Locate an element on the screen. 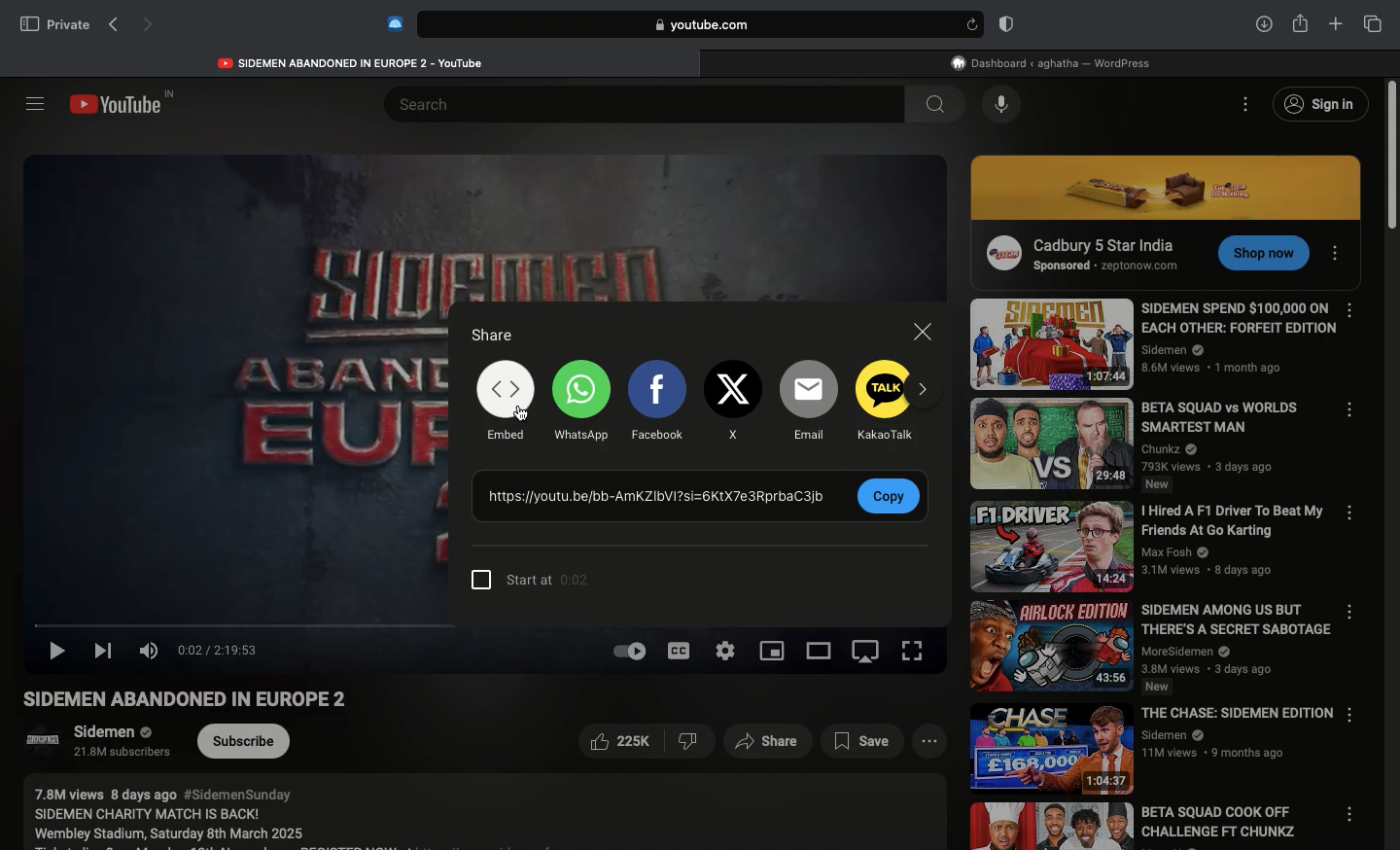 The width and height of the screenshot is (1400, 850). Search bar is located at coordinates (682, 24).